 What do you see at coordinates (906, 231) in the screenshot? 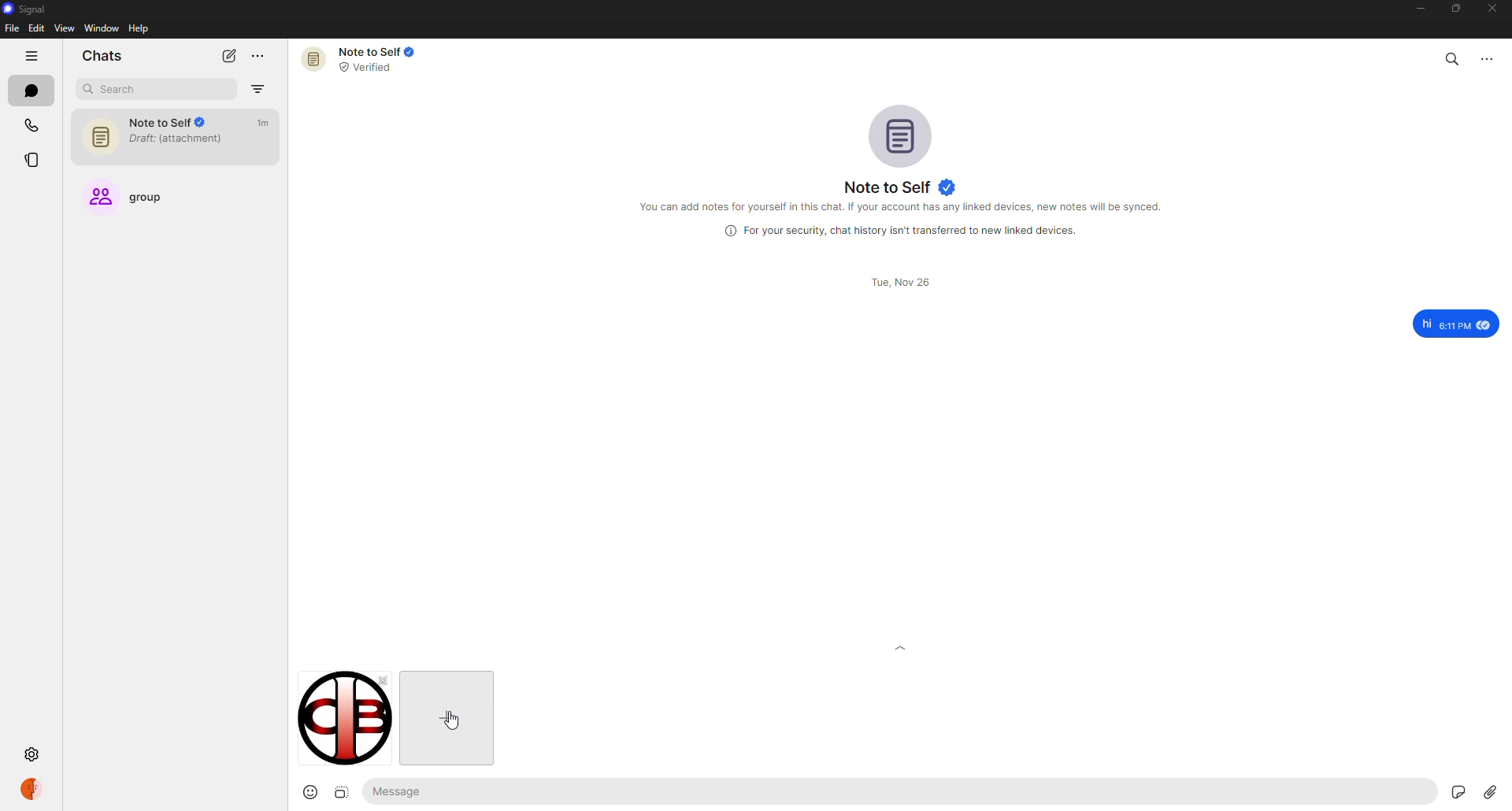
I see `info` at bounding box center [906, 231].